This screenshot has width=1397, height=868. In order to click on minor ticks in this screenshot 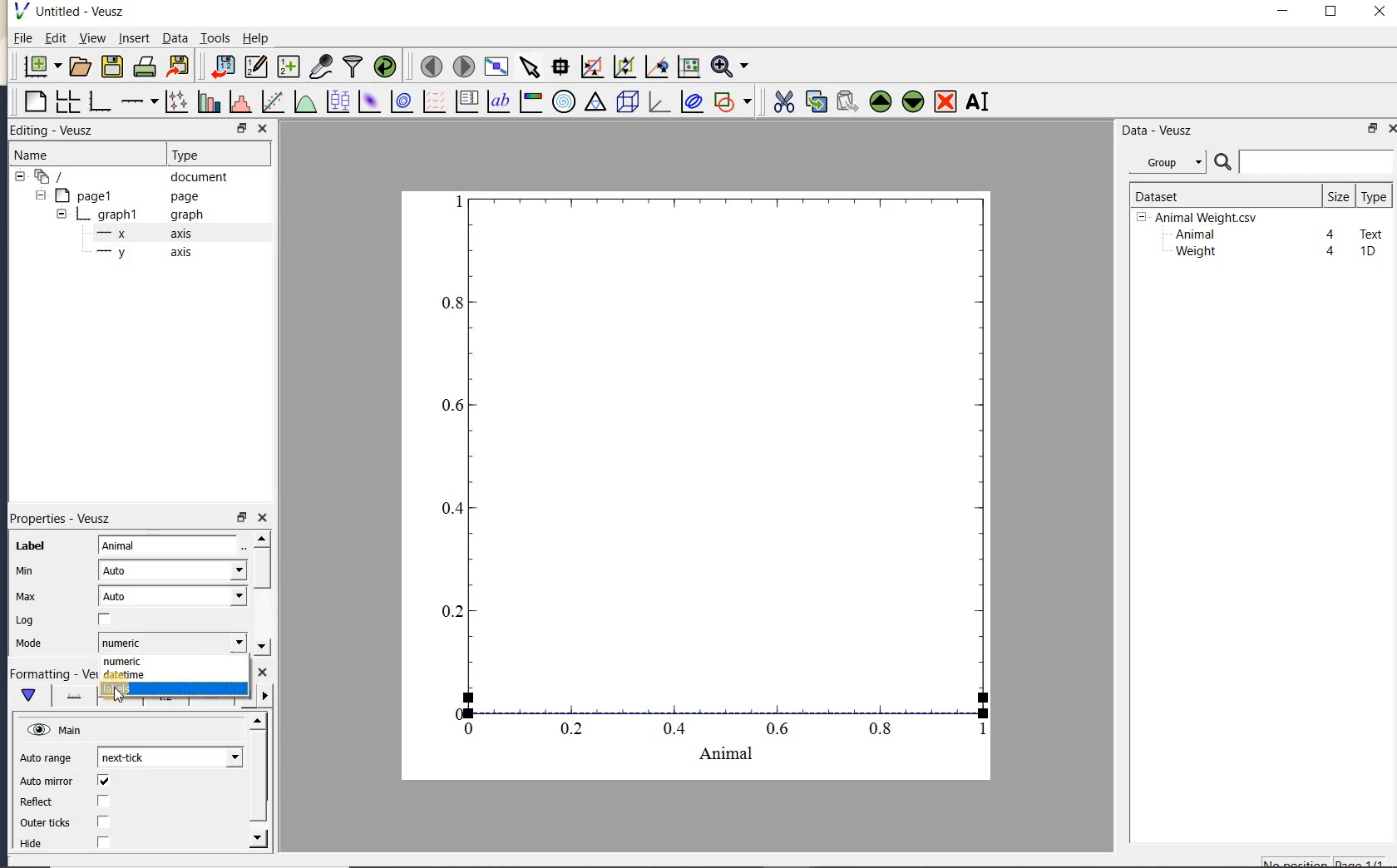, I will do `click(261, 696)`.